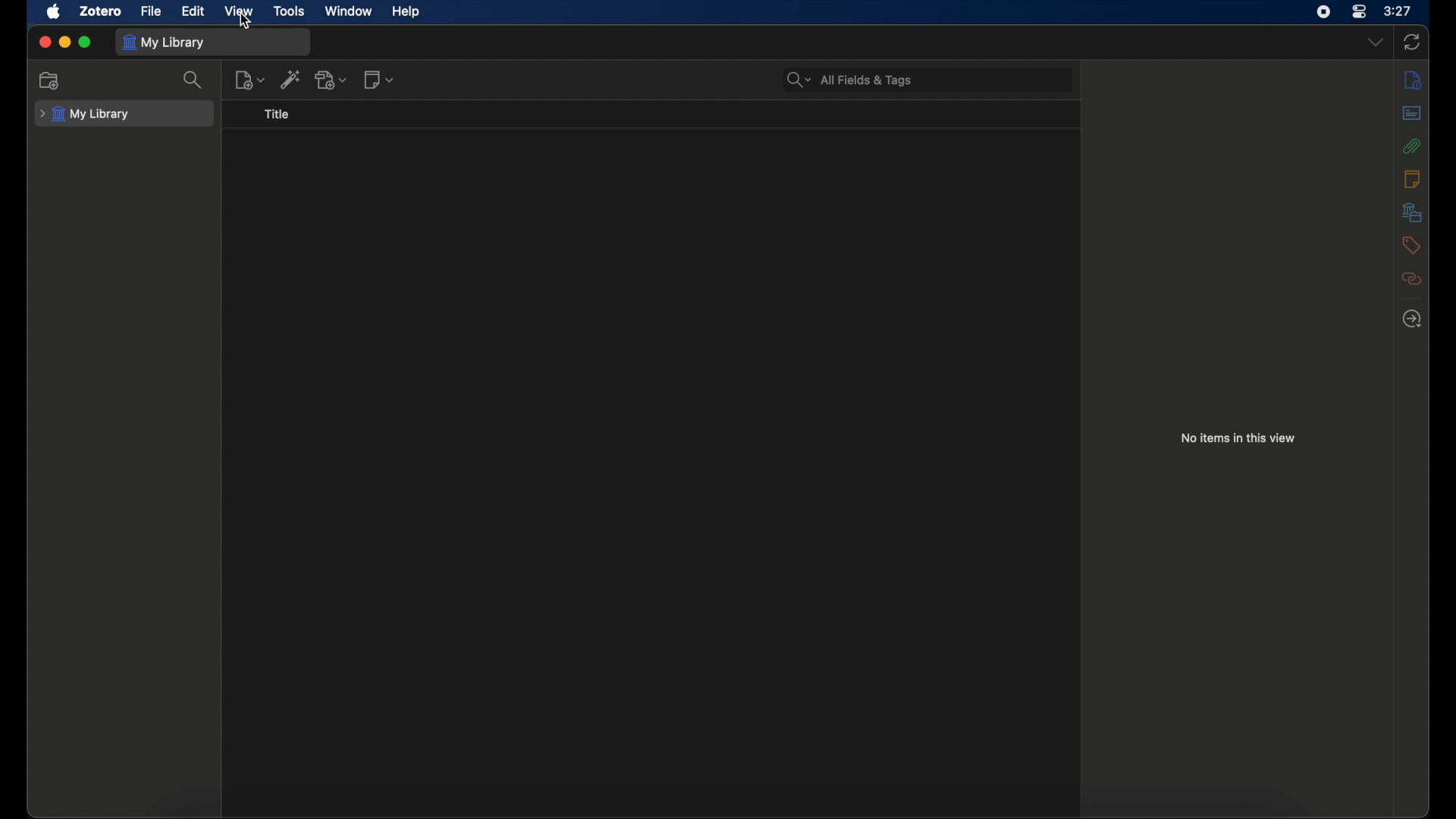 Image resolution: width=1456 pixels, height=819 pixels. What do you see at coordinates (248, 22) in the screenshot?
I see `Cursor` at bounding box center [248, 22].